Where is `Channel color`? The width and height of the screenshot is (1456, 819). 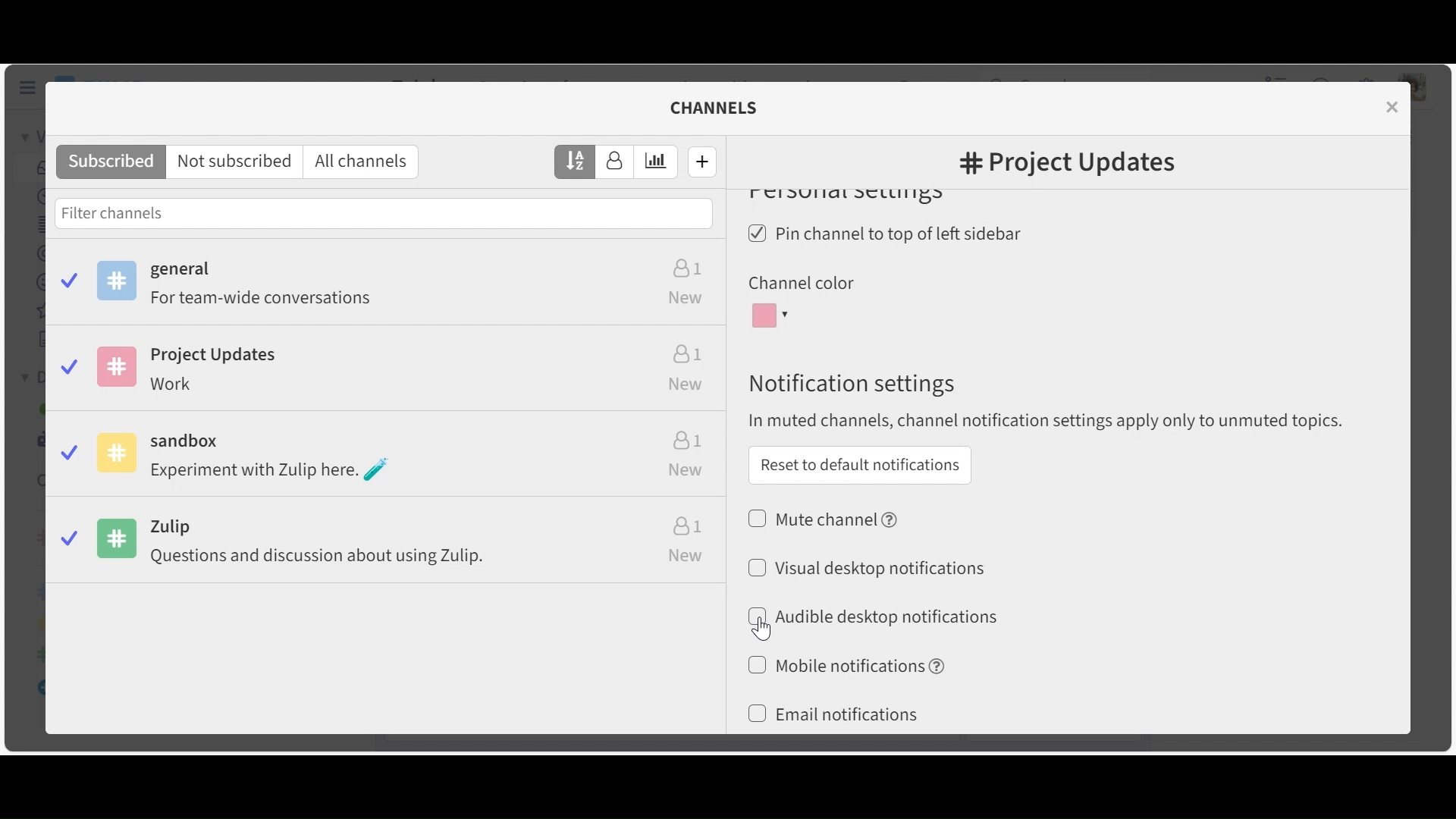
Channel color is located at coordinates (800, 284).